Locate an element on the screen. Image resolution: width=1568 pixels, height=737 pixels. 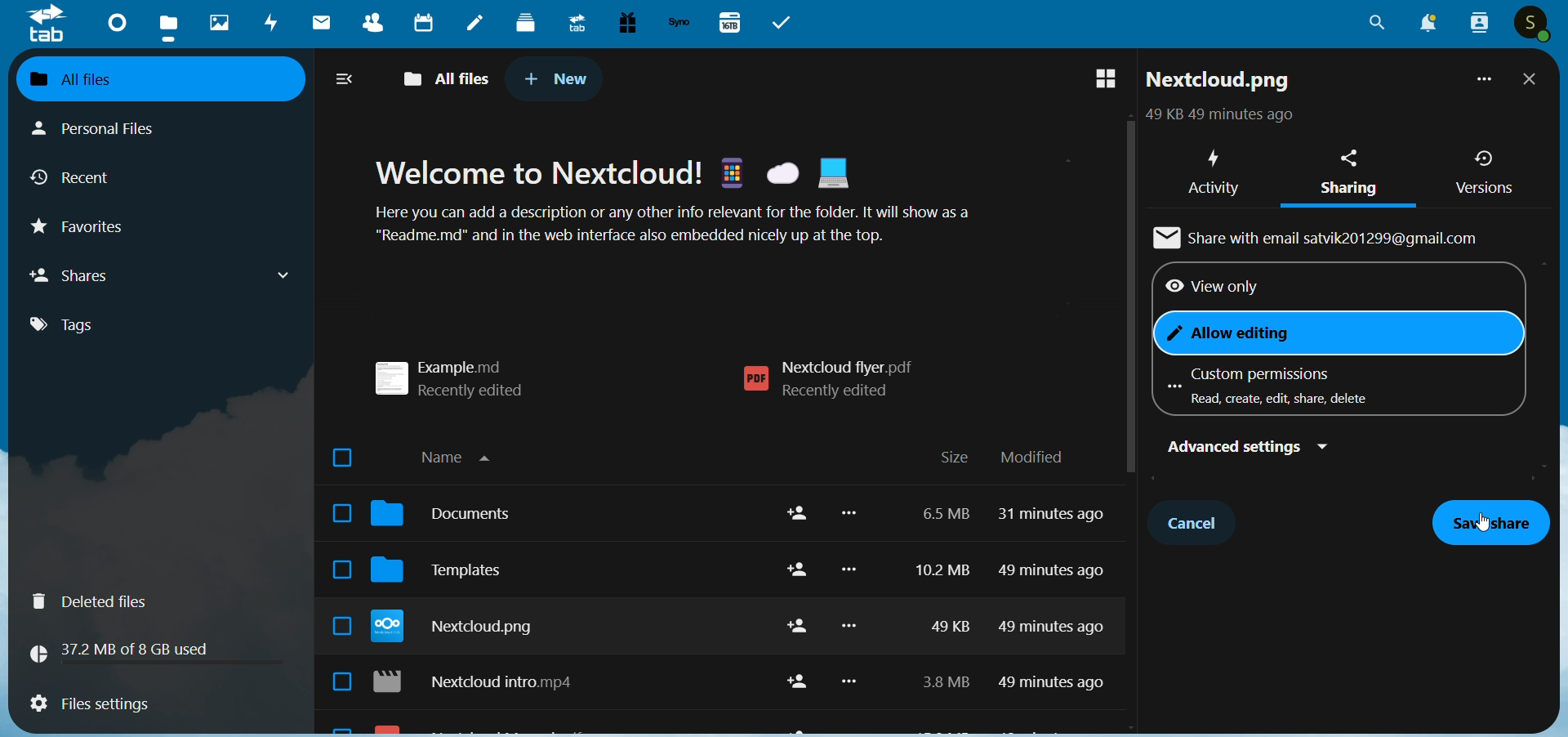
search is located at coordinates (1377, 28).